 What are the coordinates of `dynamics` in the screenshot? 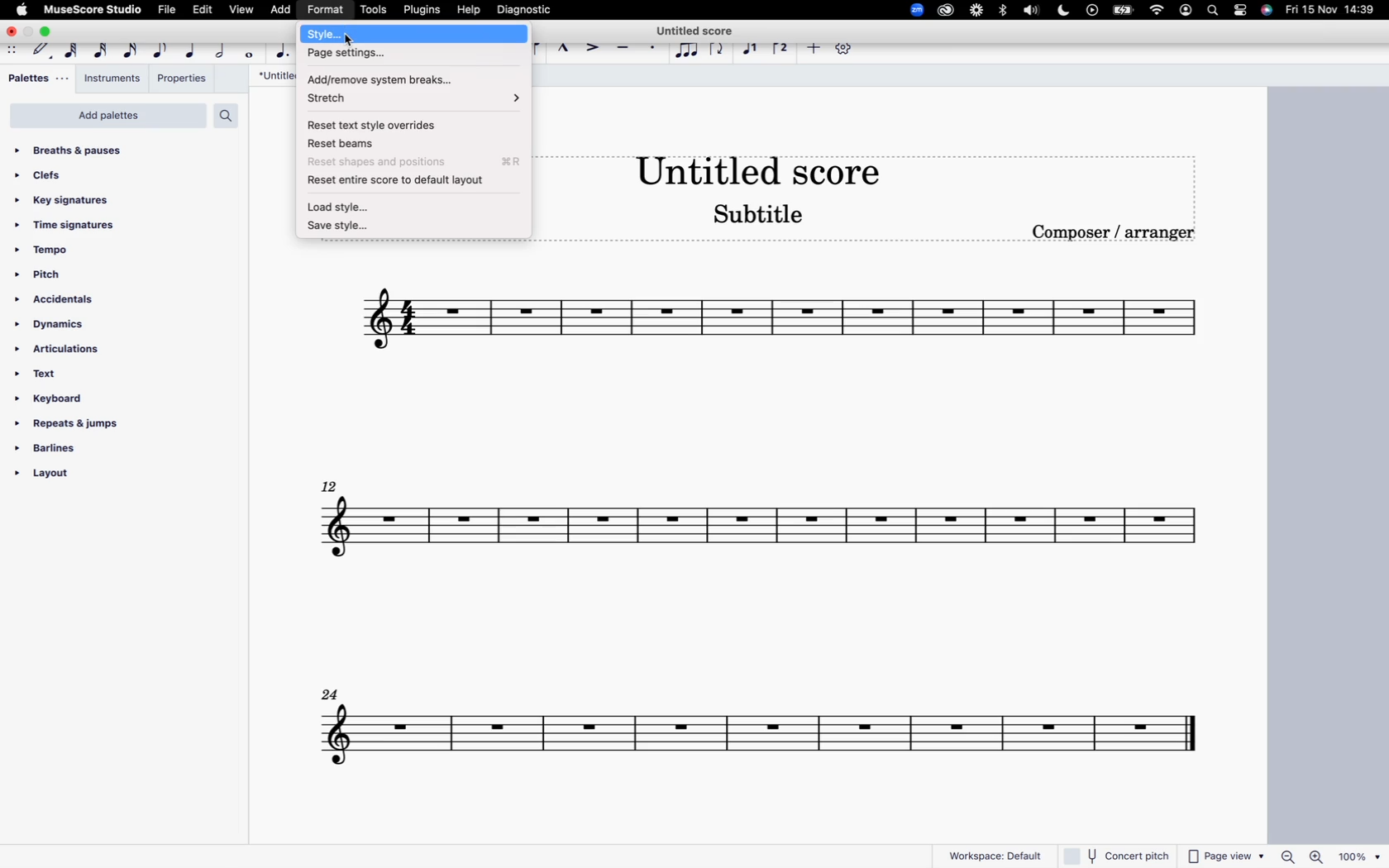 It's located at (53, 326).